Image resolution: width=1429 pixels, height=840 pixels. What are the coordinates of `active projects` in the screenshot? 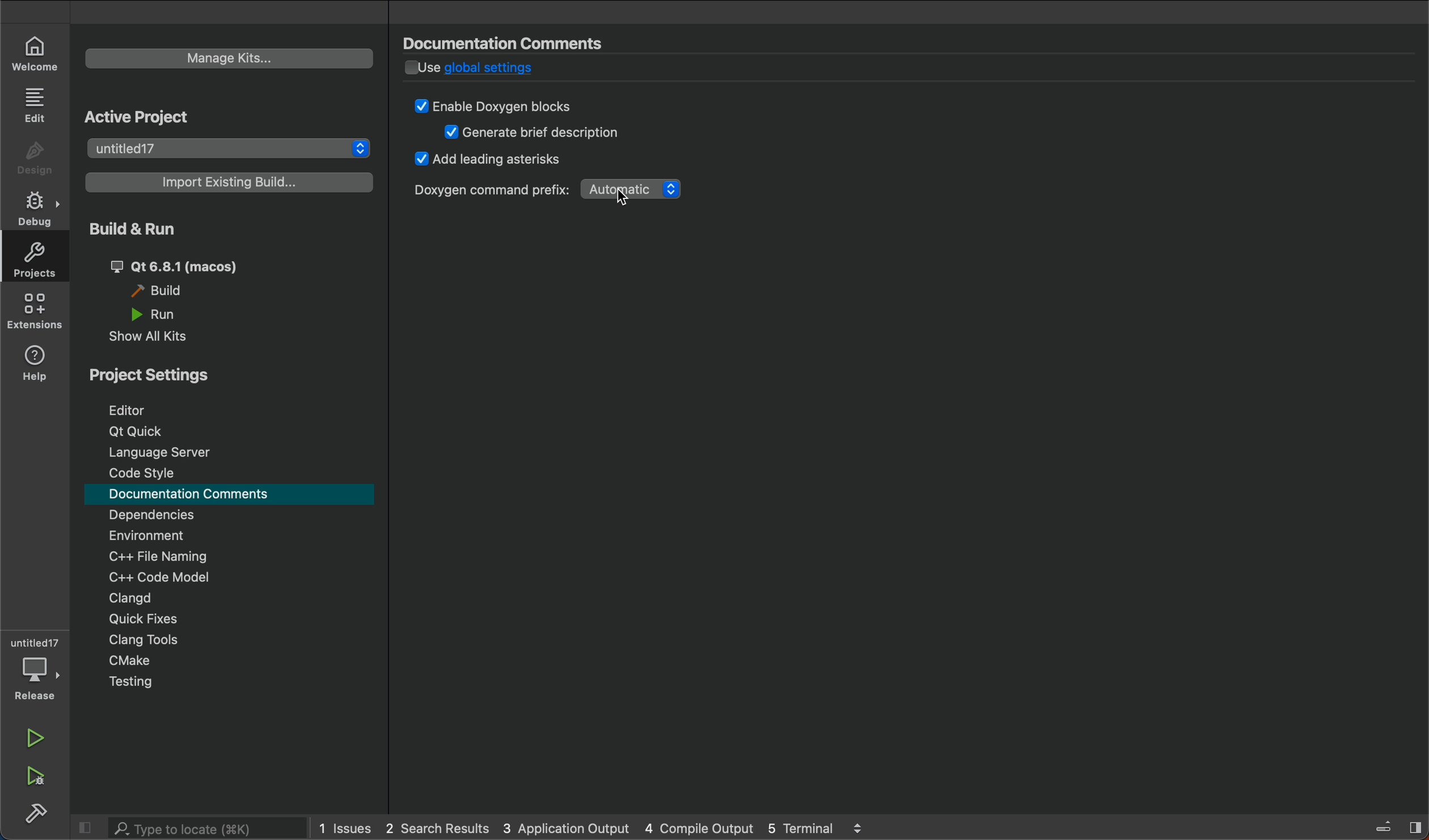 It's located at (150, 114).